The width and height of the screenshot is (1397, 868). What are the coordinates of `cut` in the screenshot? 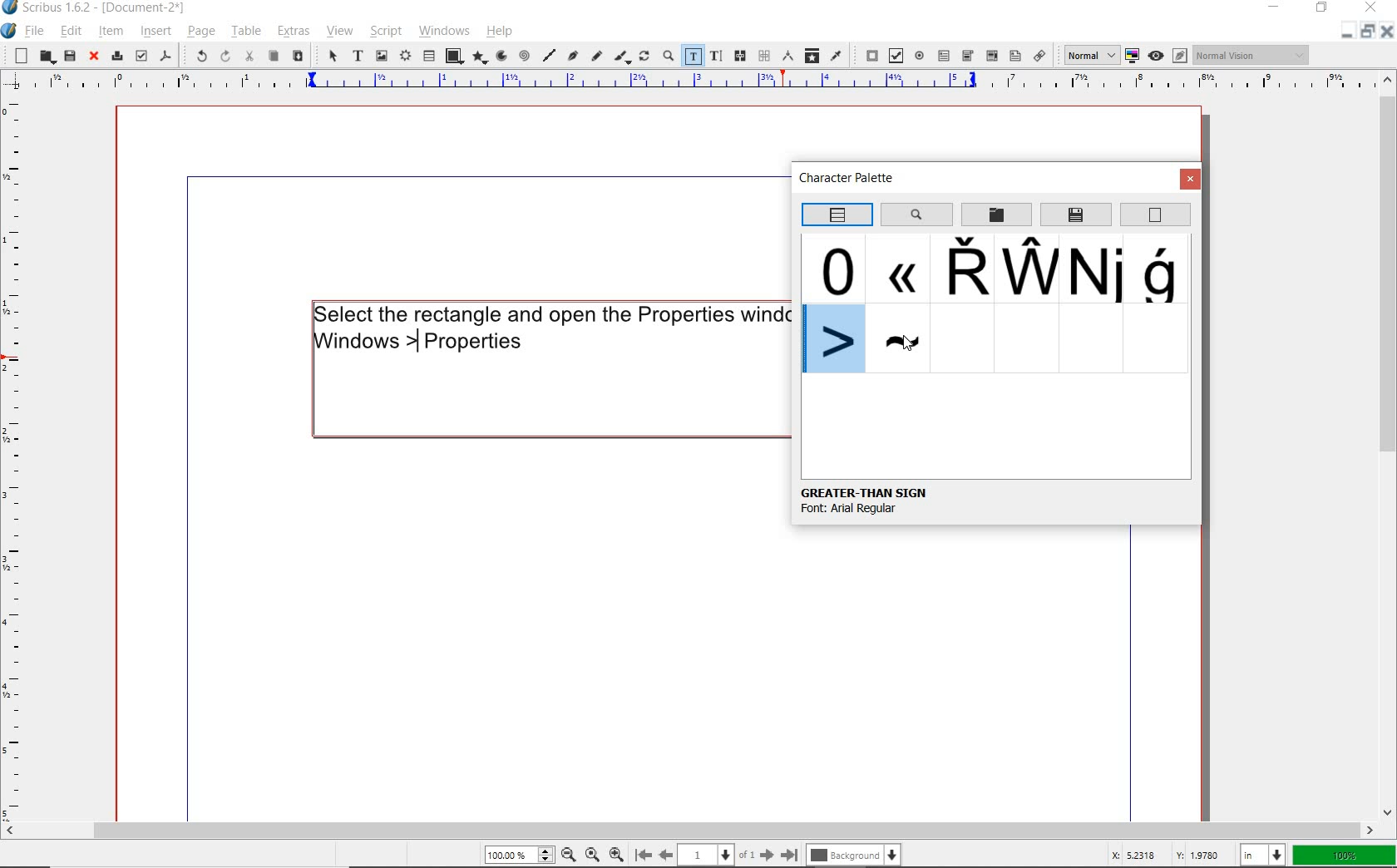 It's located at (250, 56).